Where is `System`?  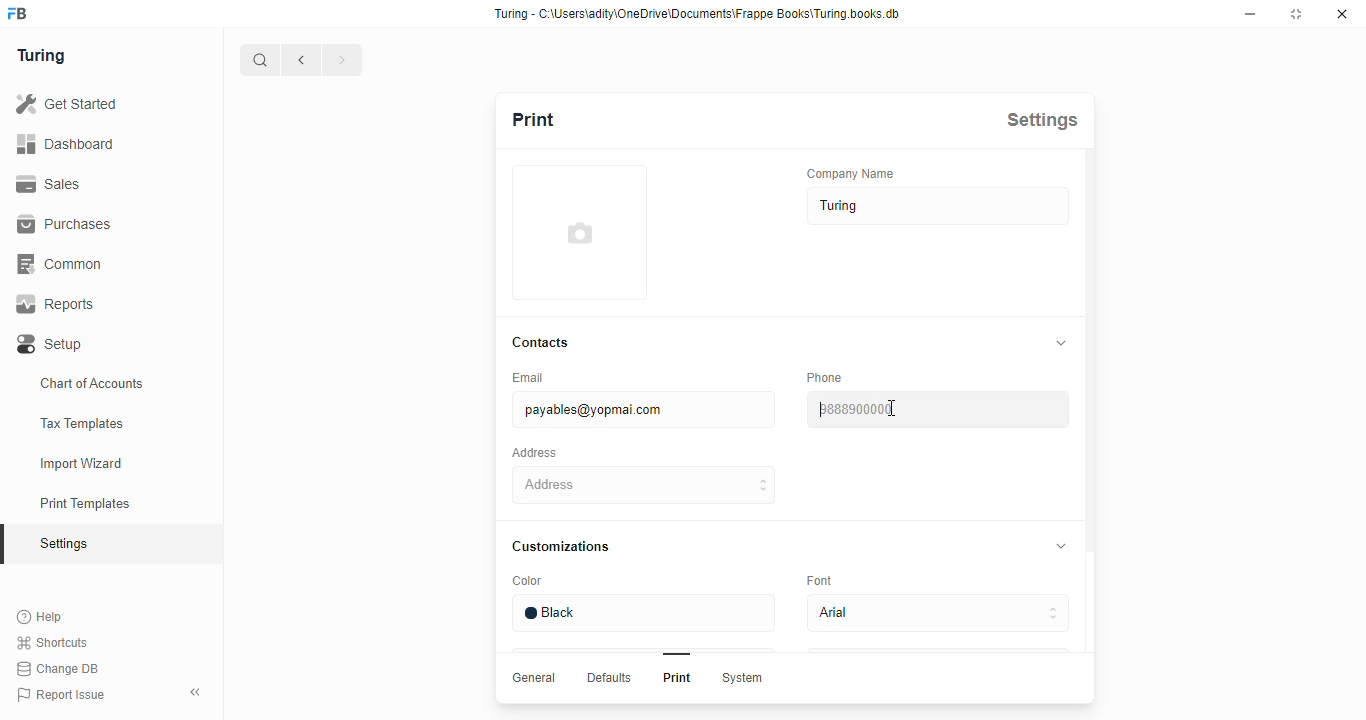
System is located at coordinates (746, 679).